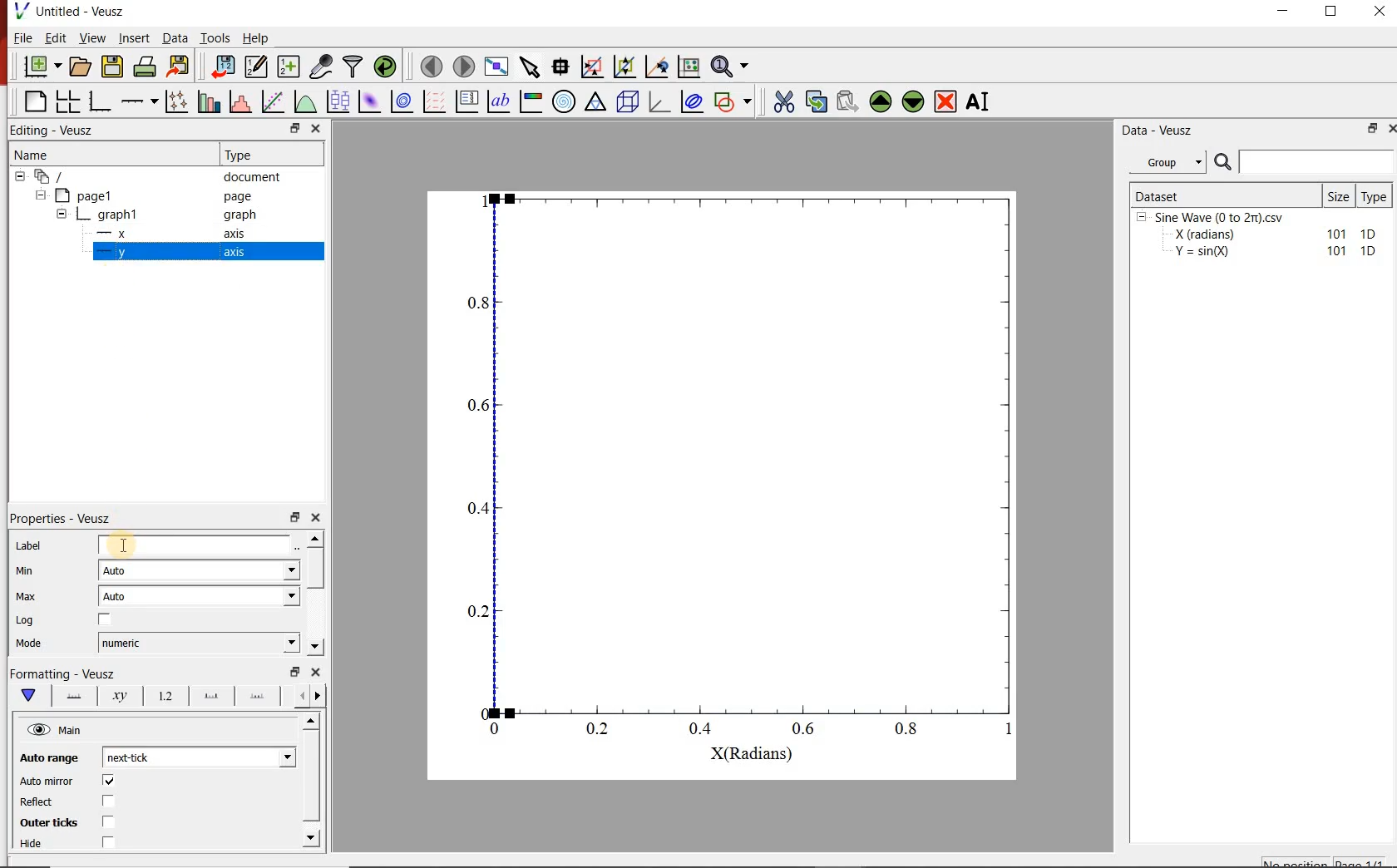  I want to click on Untitled - Veusz, so click(81, 11).